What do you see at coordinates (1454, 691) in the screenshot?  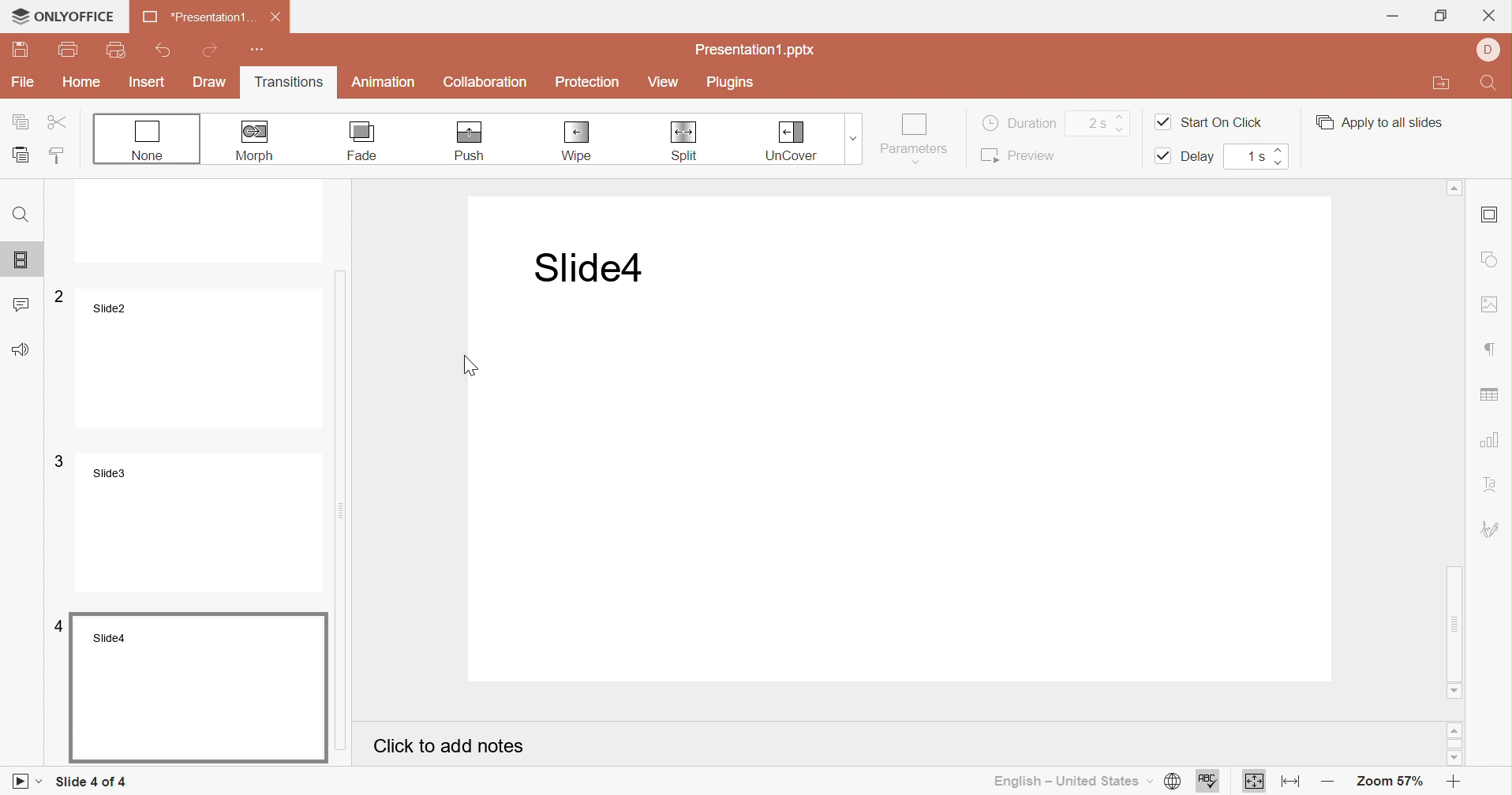 I see `Scroll down` at bounding box center [1454, 691].